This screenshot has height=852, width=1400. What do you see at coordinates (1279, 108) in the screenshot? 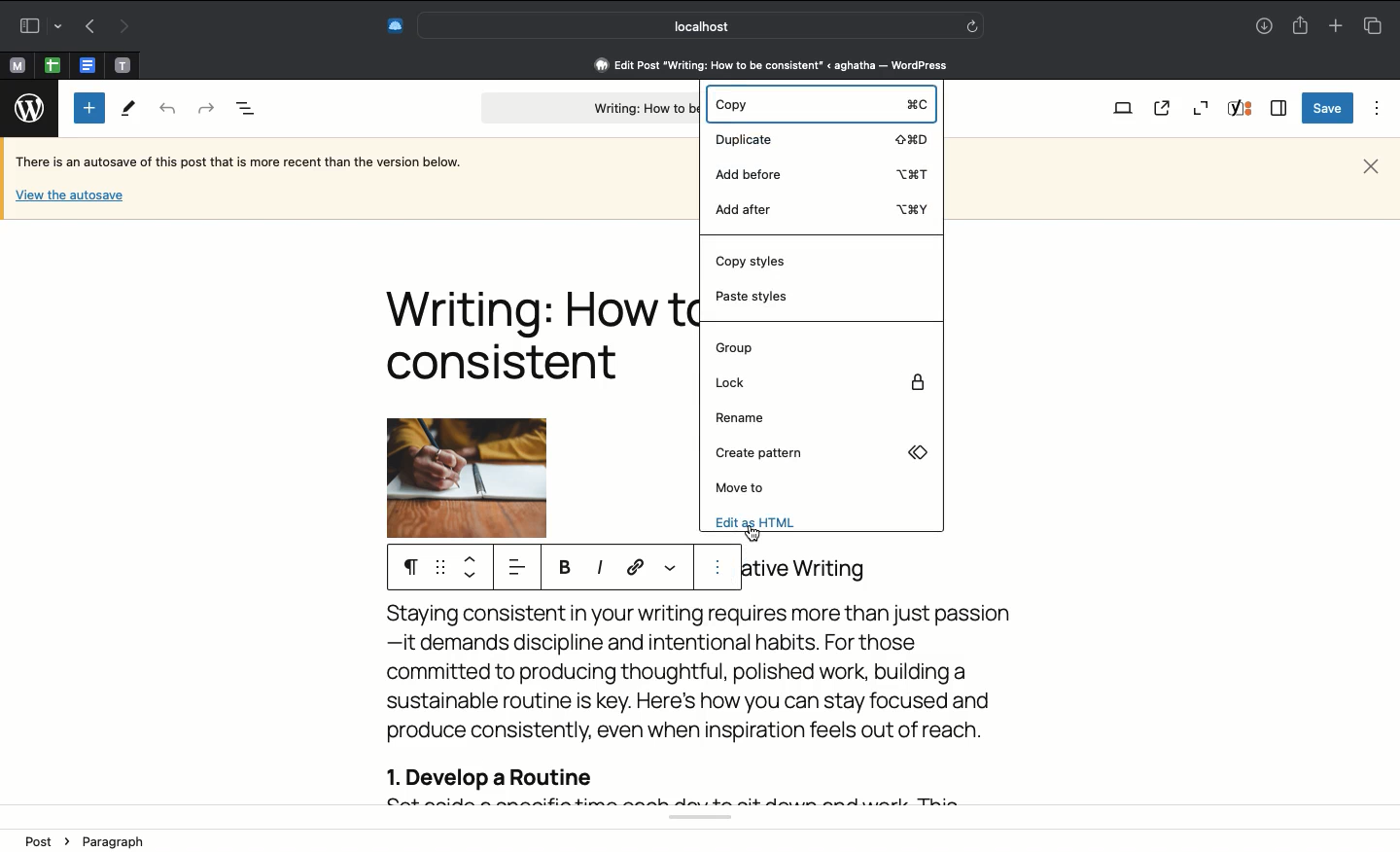
I see `Sidebar` at bounding box center [1279, 108].